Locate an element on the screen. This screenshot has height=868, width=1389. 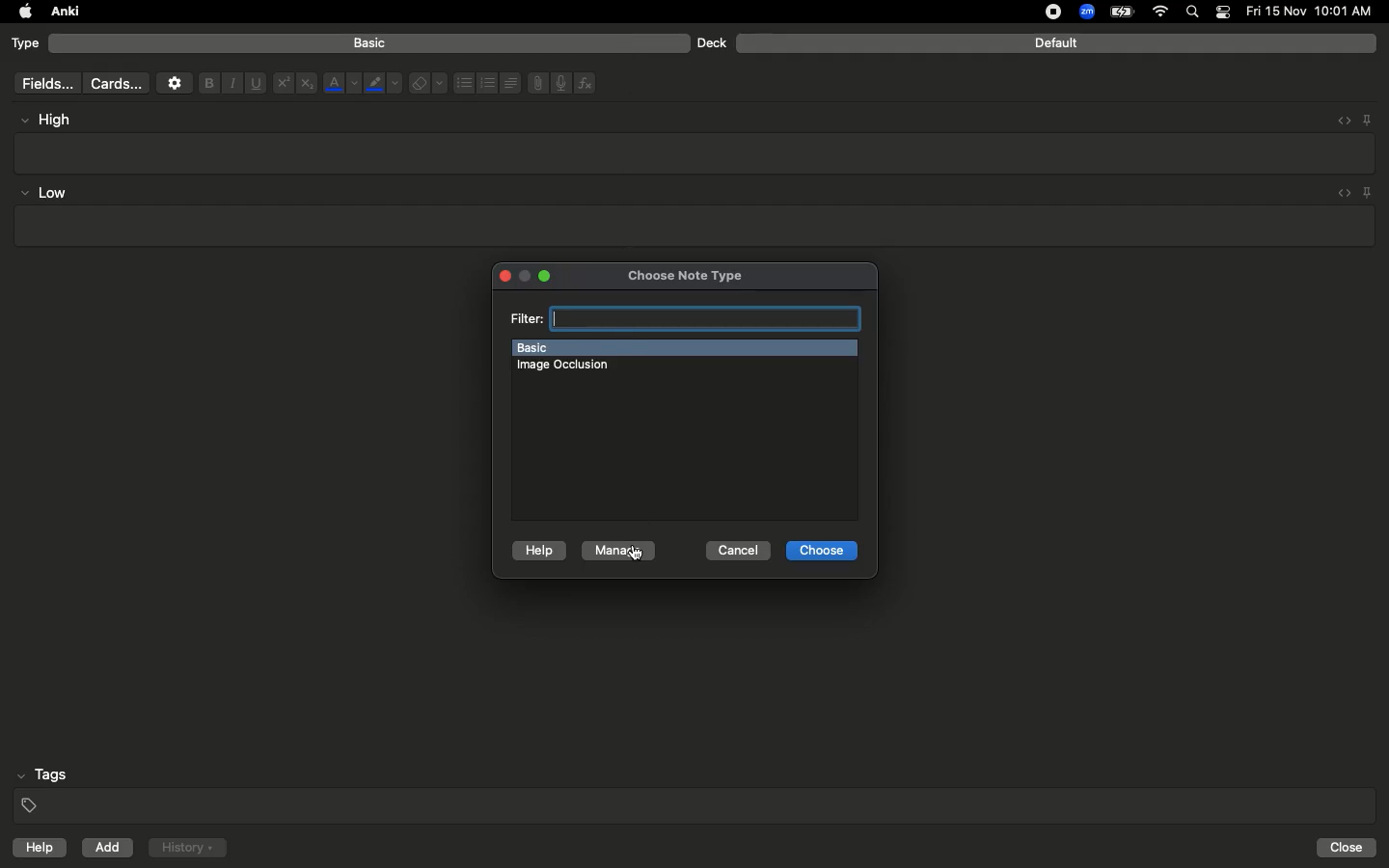
apple logo is located at coordinates (20, 12).